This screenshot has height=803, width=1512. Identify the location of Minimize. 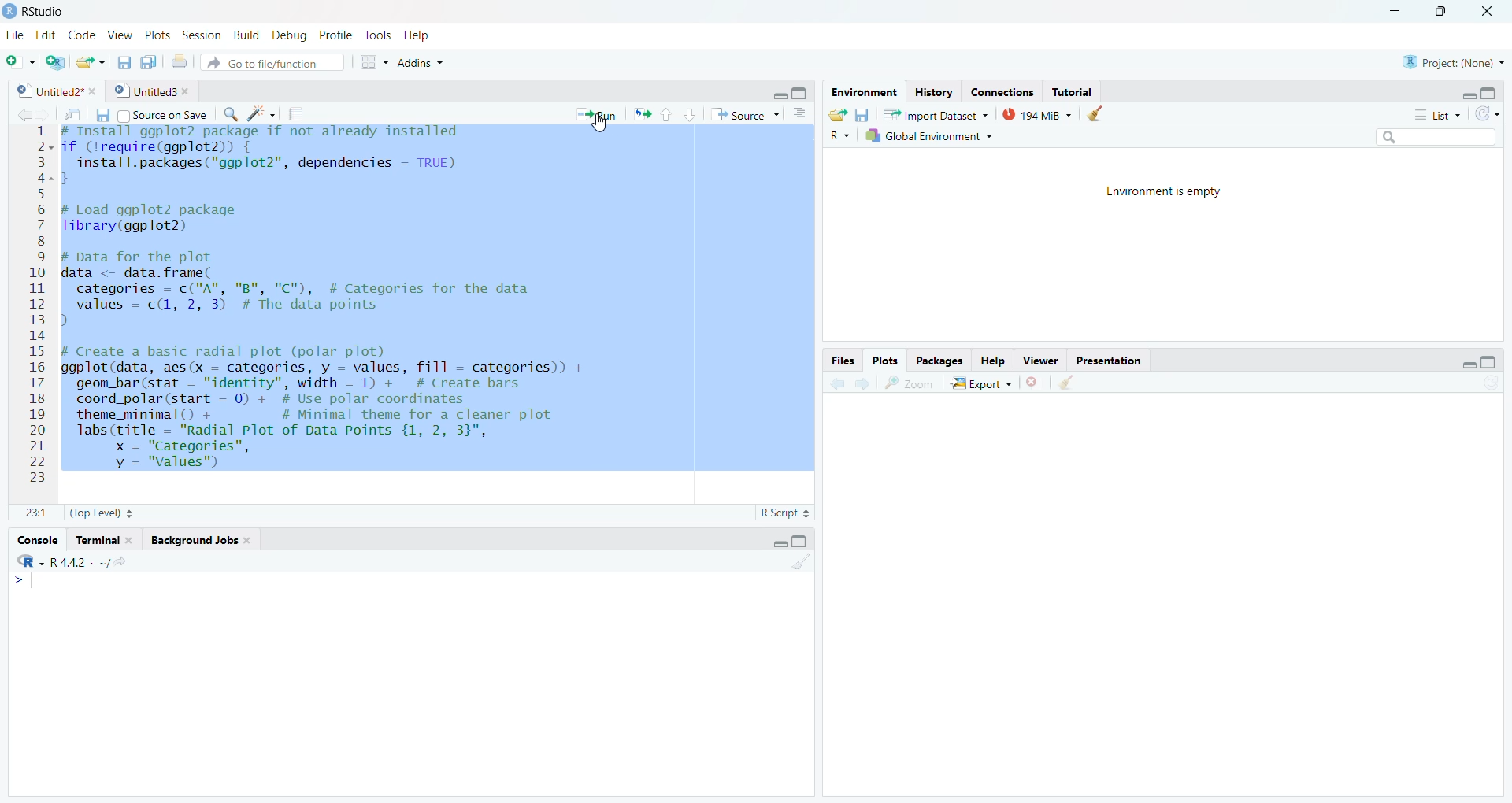
(1468, 95).